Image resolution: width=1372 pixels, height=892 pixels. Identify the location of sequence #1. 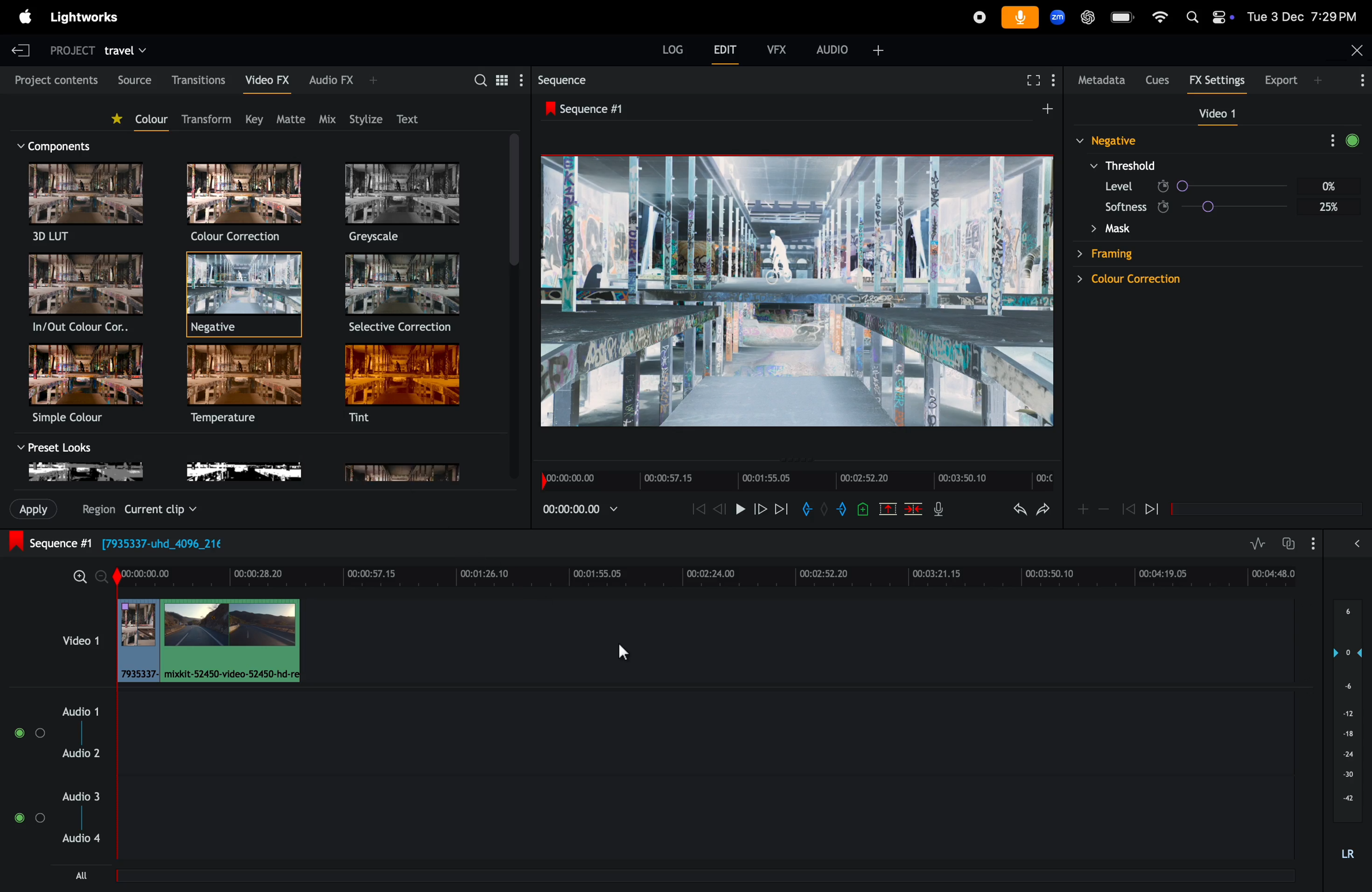
(623, 109).